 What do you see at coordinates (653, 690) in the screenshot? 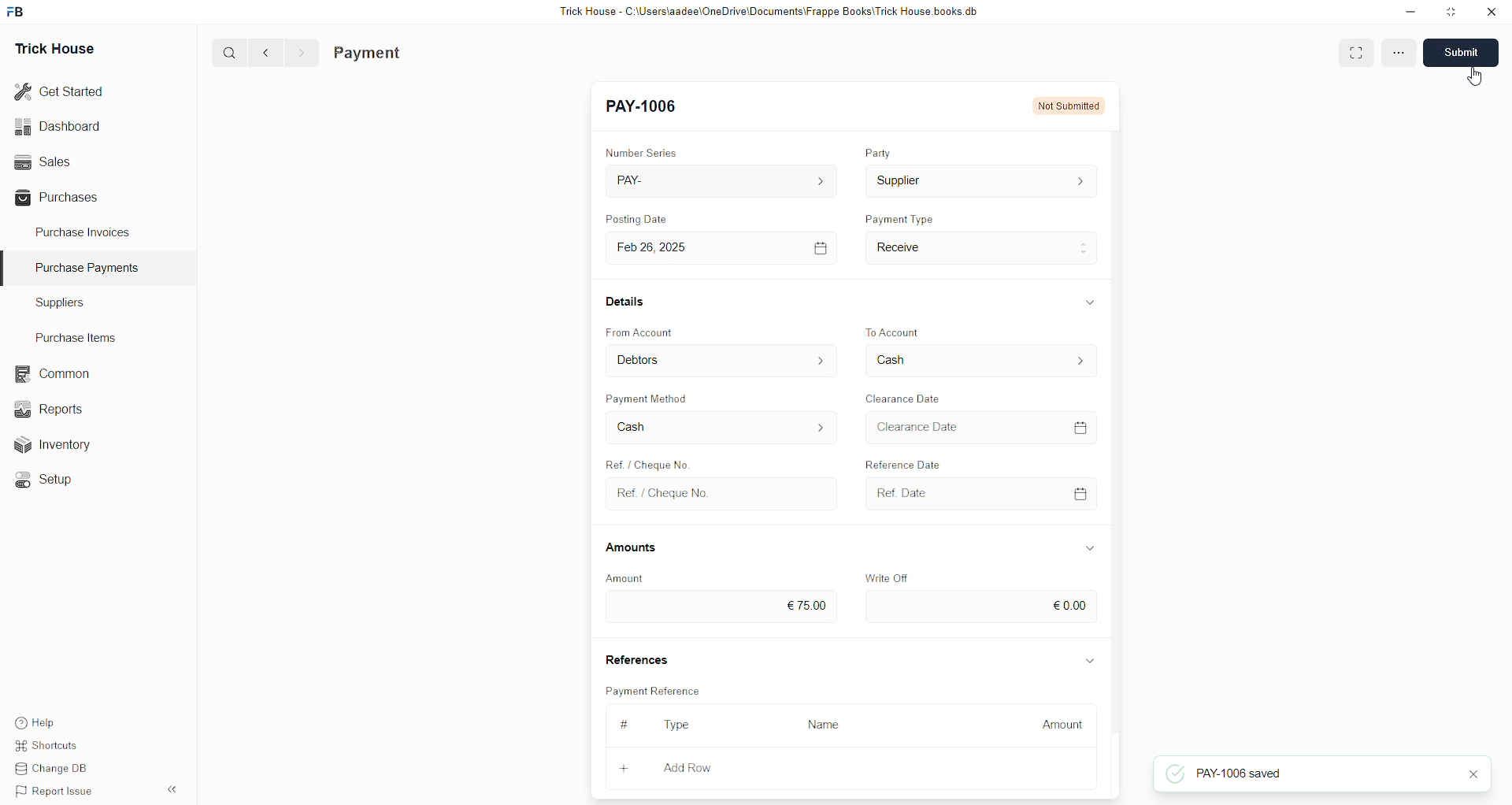
I see `Payment Reference` at bounding box center [653, 690].